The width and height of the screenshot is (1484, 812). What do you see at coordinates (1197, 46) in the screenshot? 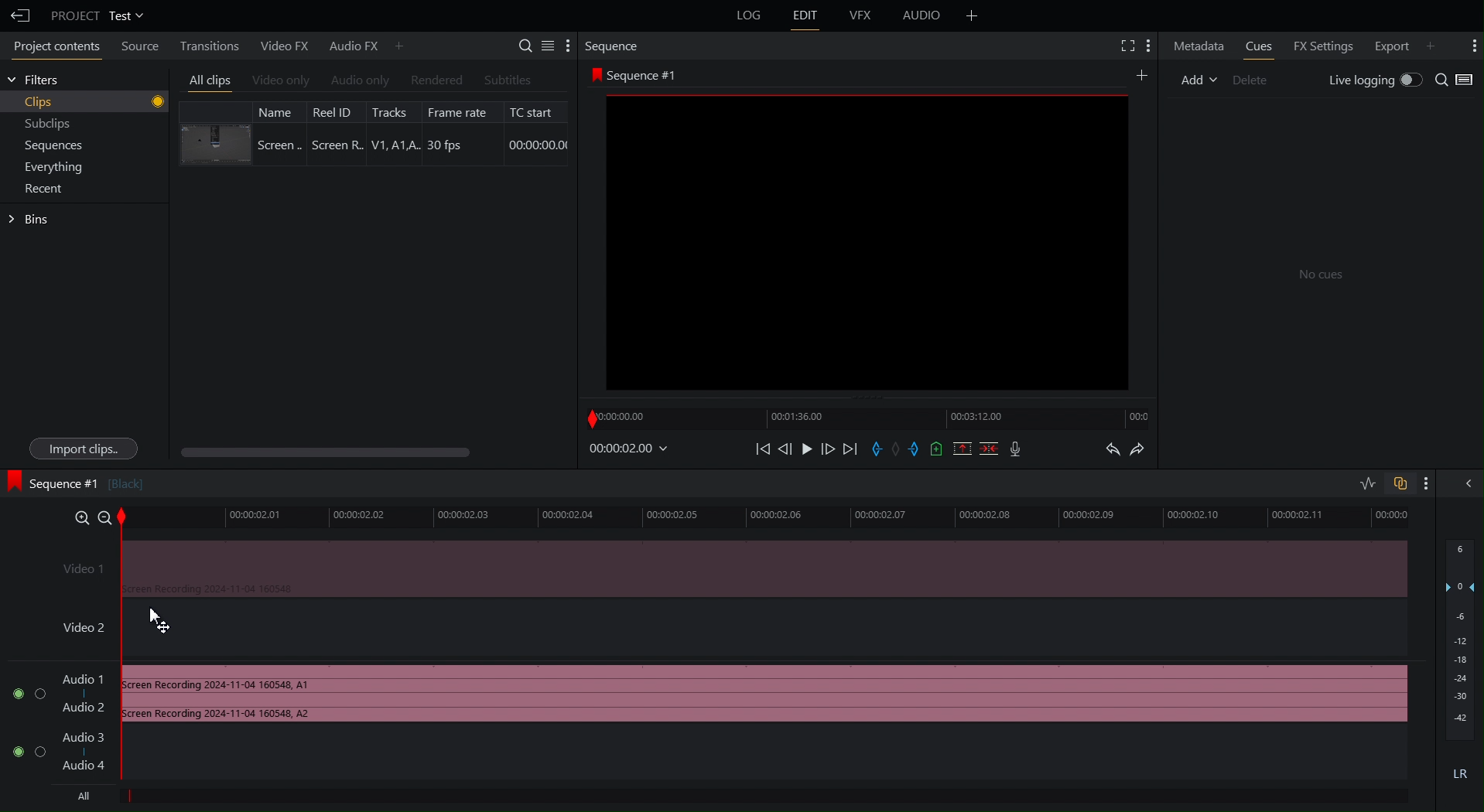
I see `Metadata` at bounding box center [1197, 46].